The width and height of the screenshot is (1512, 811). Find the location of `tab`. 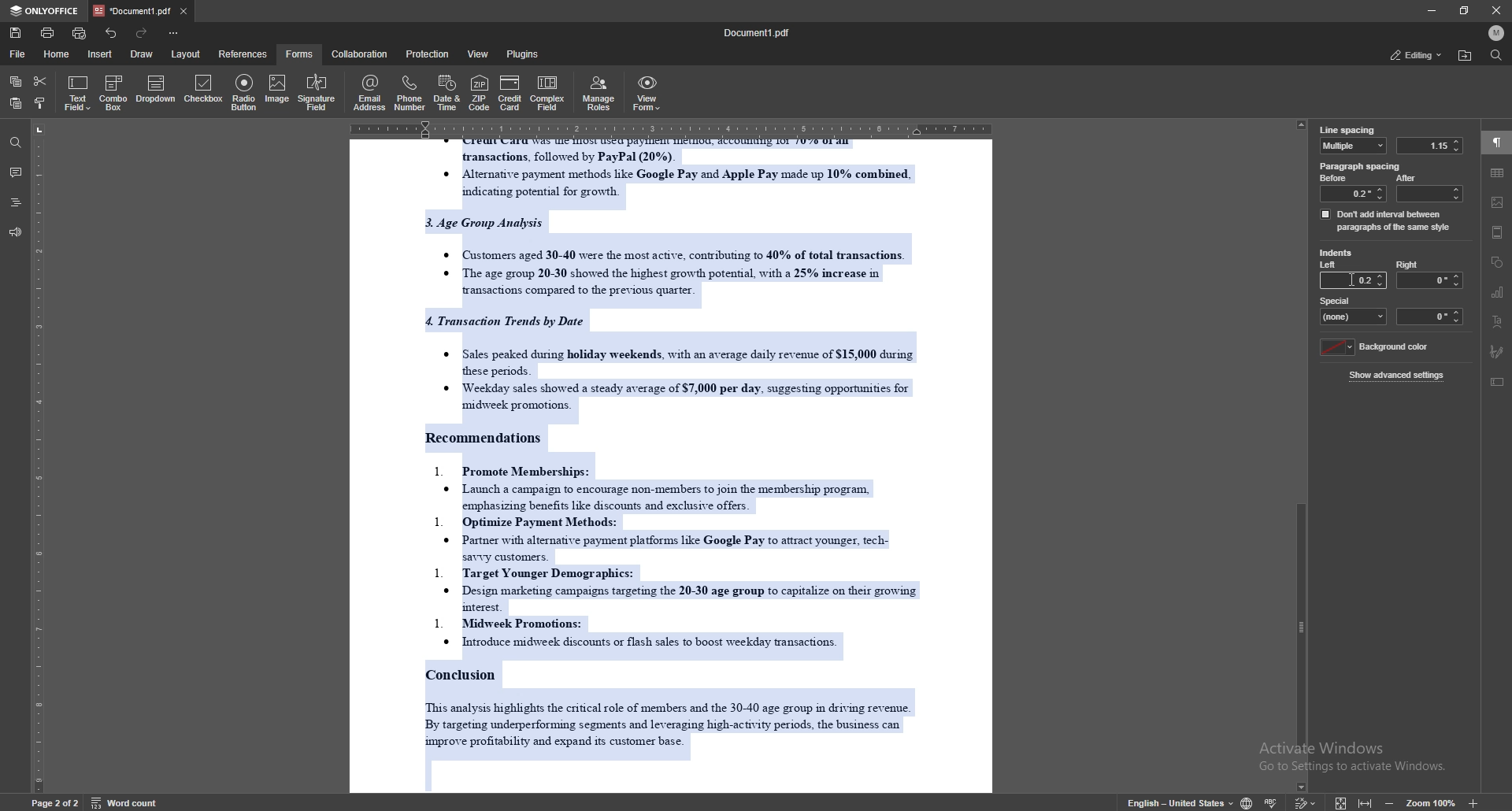

tab is located at coordinates (133, 10).